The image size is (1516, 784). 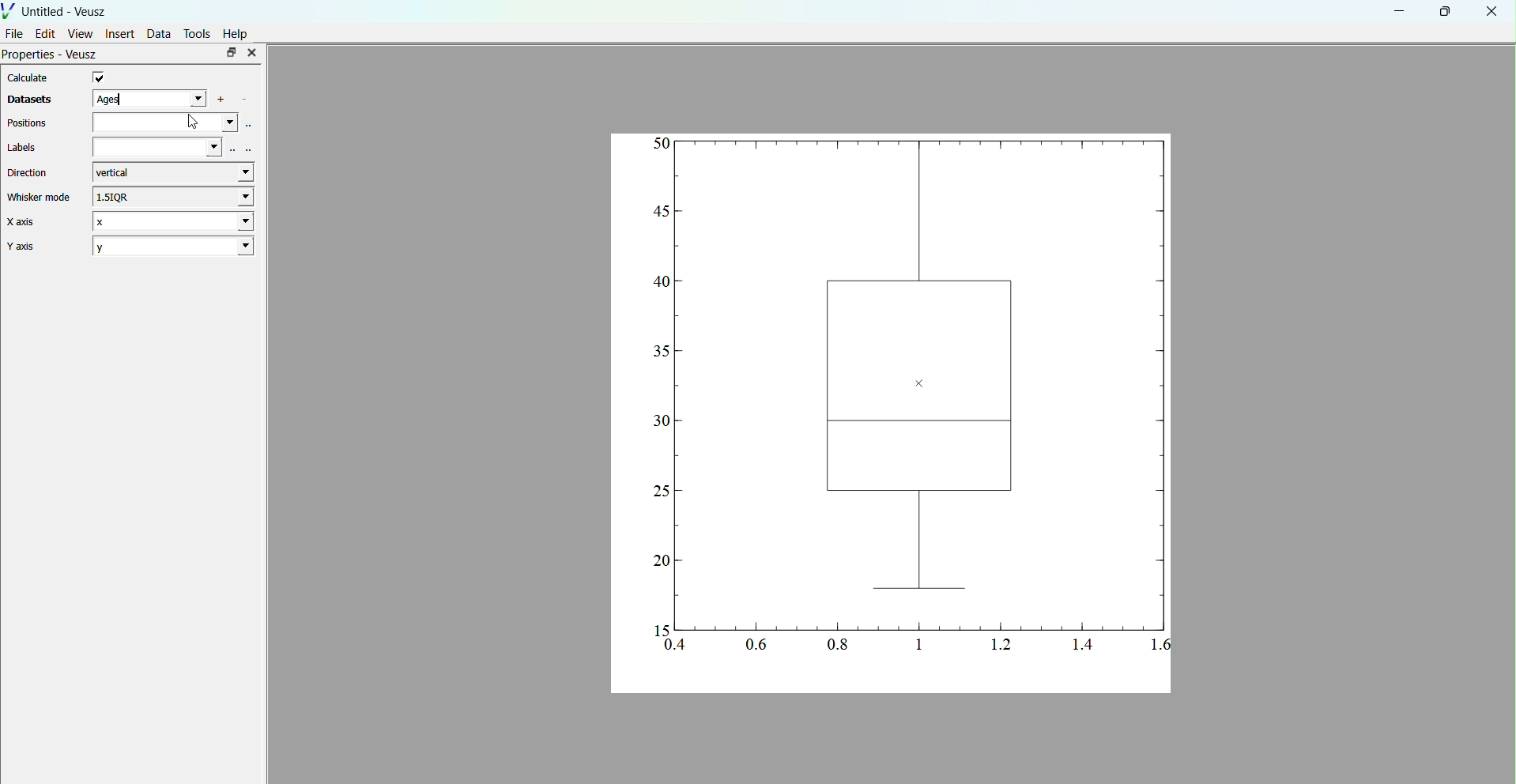 What do you see at coordinates (30, 99) in the screenshot?
I see `Datasets` at bounding box center [30, 99].